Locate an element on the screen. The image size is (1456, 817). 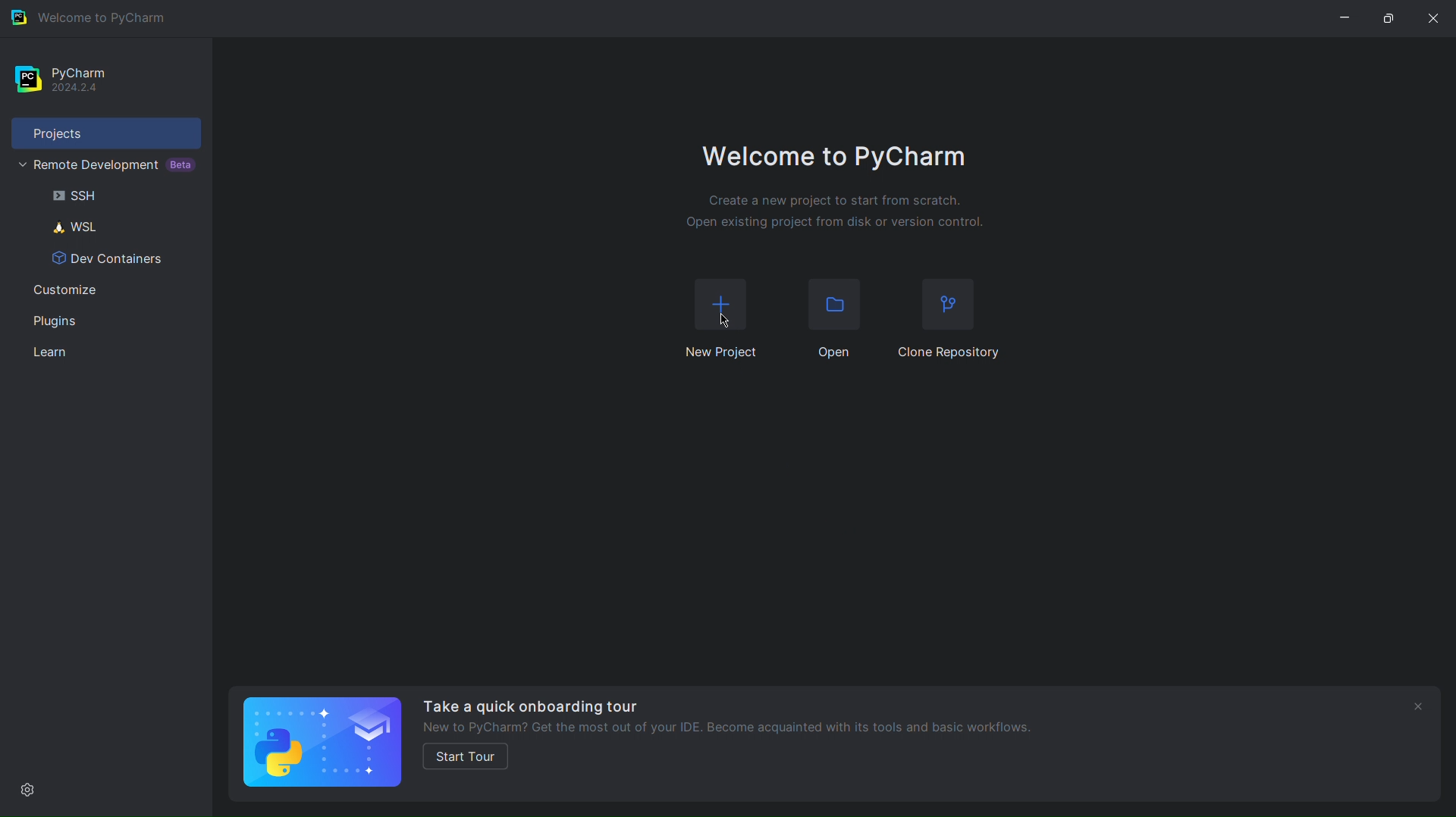
Customize is located at coordinates (105, 291).